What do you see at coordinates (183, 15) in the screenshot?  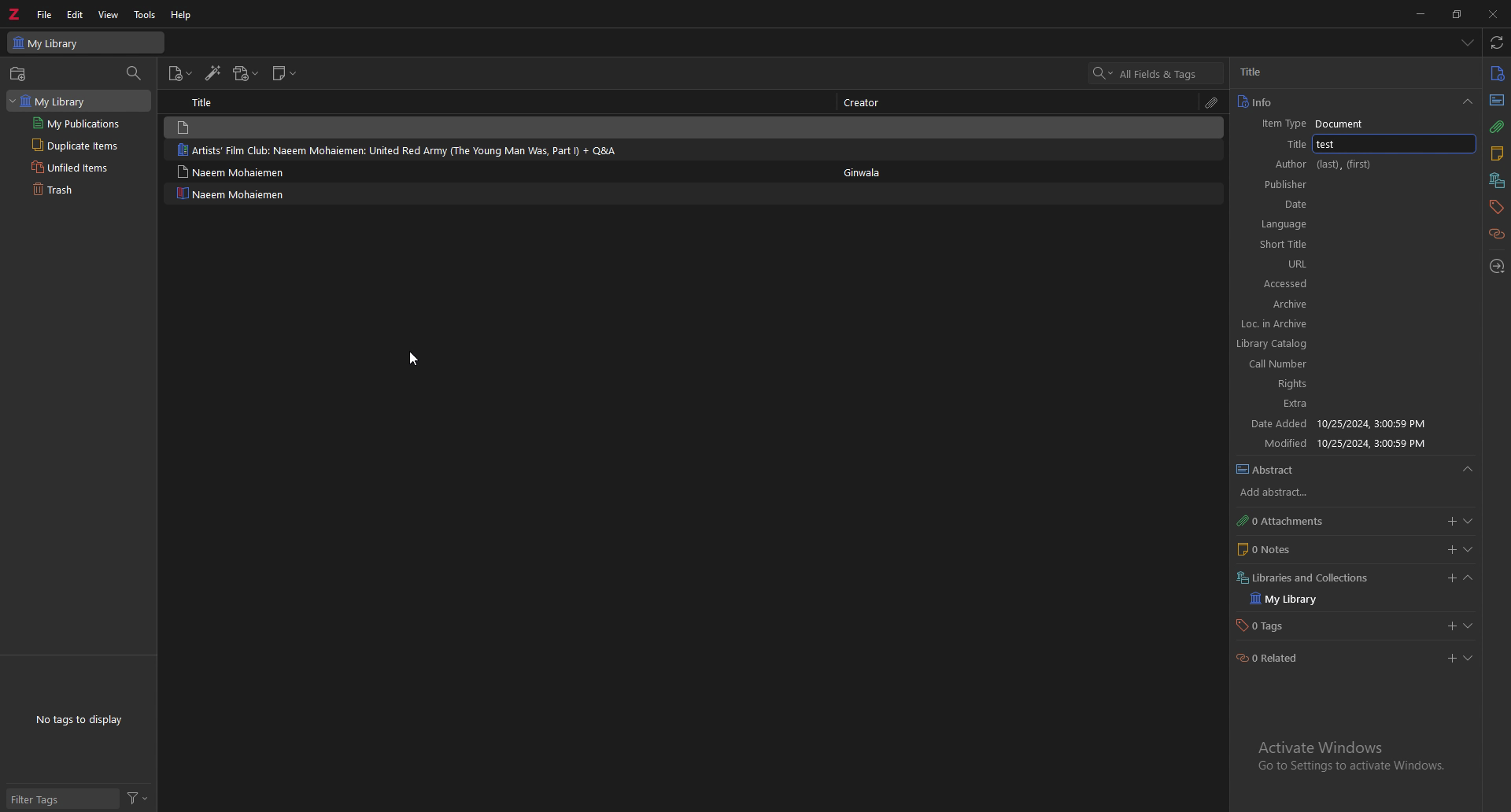 I see `help` at bounding box center [183, 15].